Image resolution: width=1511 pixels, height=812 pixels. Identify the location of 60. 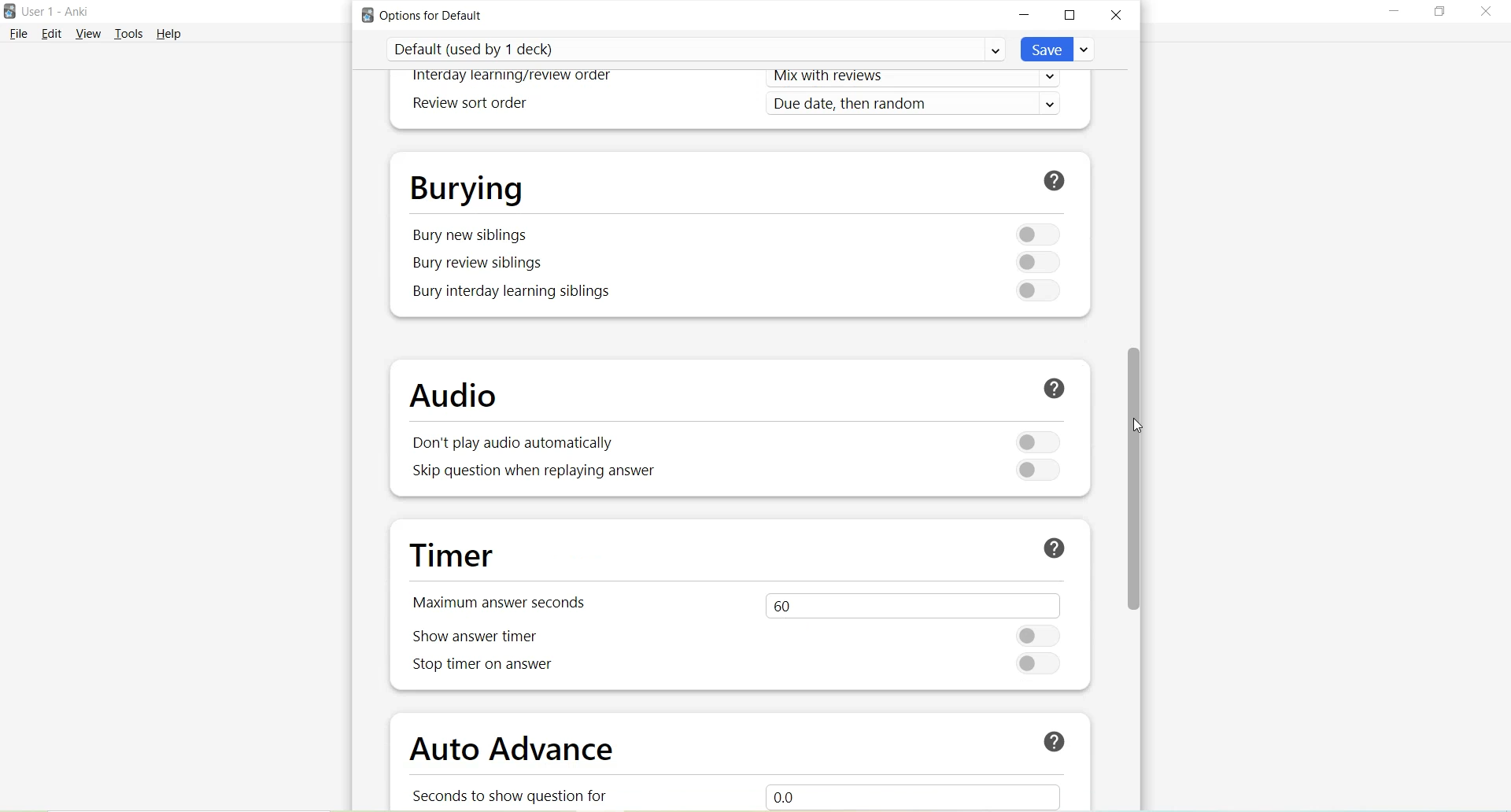
(909, 603).